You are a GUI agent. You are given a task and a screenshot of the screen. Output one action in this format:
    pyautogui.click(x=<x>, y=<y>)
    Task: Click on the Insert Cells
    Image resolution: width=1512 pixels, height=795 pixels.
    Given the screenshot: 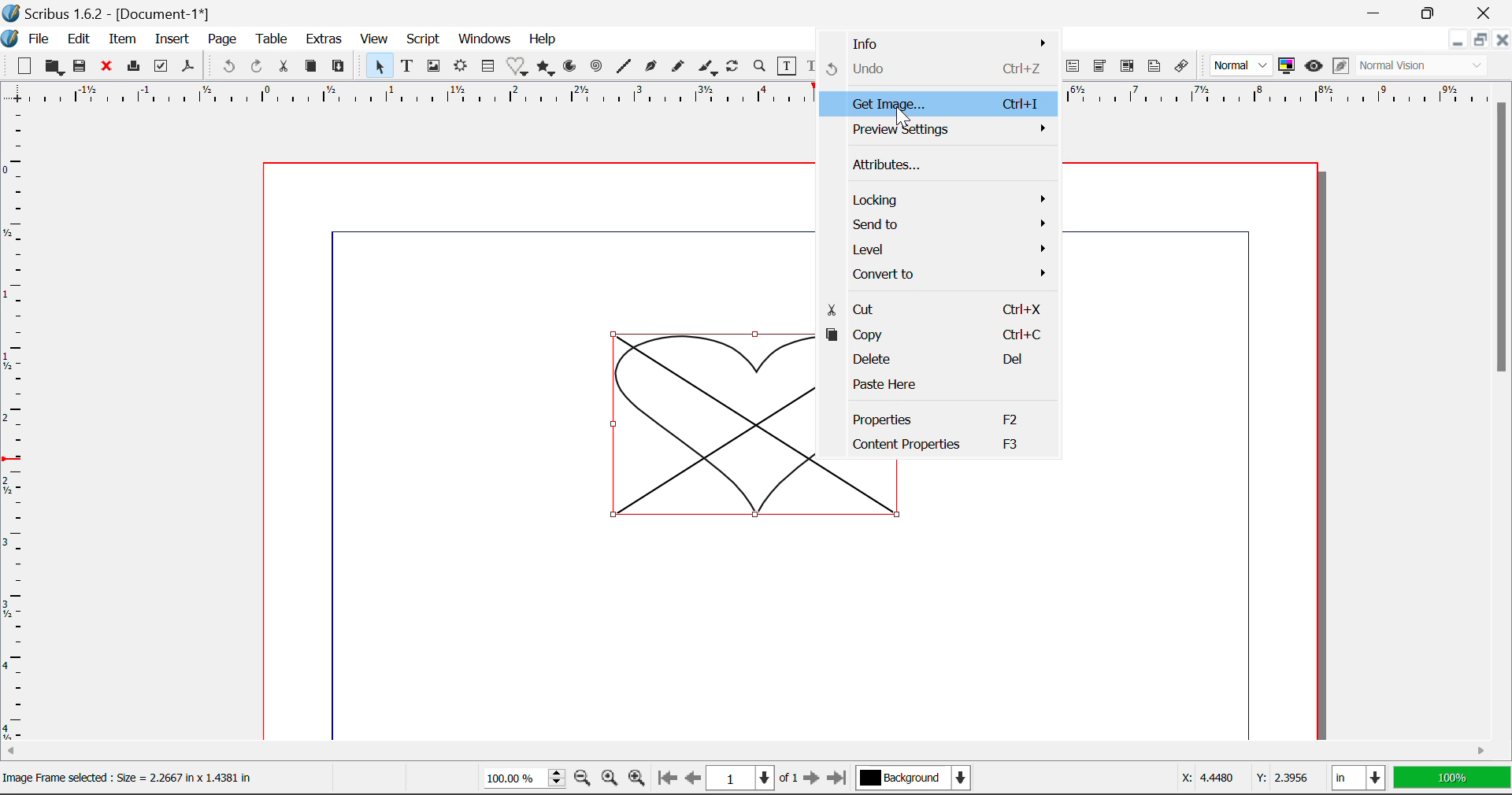 What is the action you would take?
    pyautogui.click(x=487, y=68)
    